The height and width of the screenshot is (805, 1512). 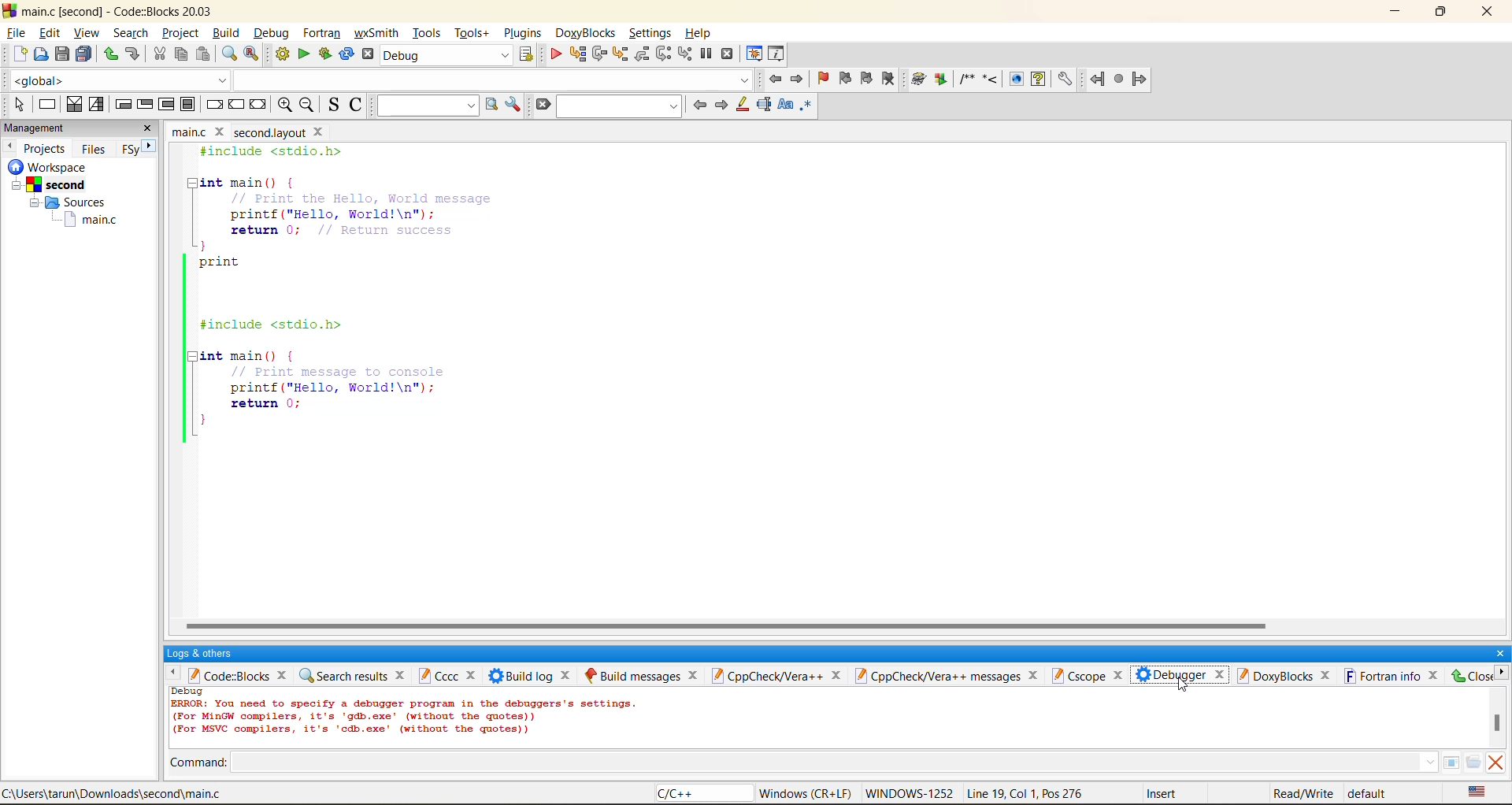 I want to click on break instruction, so click(x=210, y=105).